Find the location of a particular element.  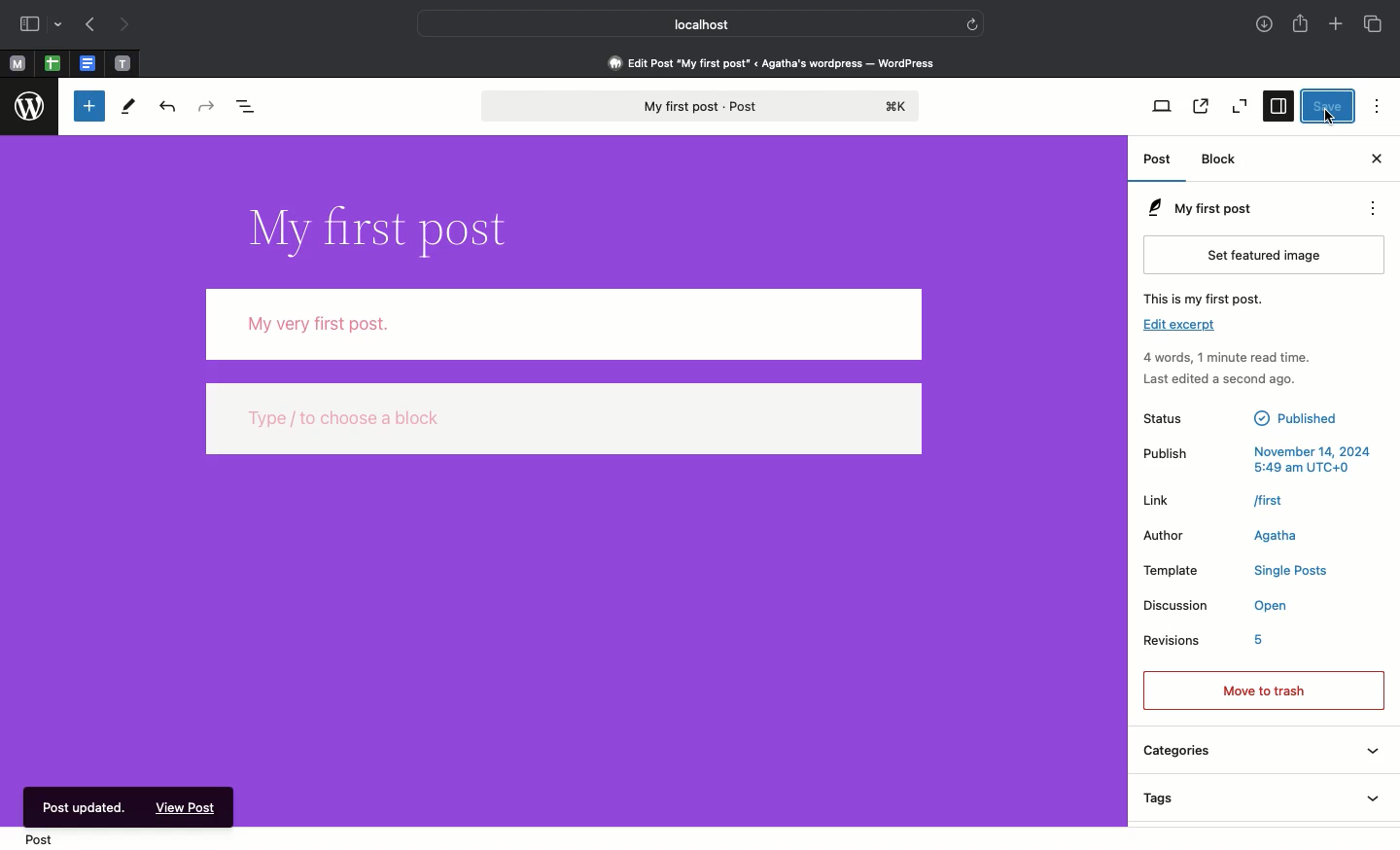

Zoom out is located at coordinates (1241, 108).